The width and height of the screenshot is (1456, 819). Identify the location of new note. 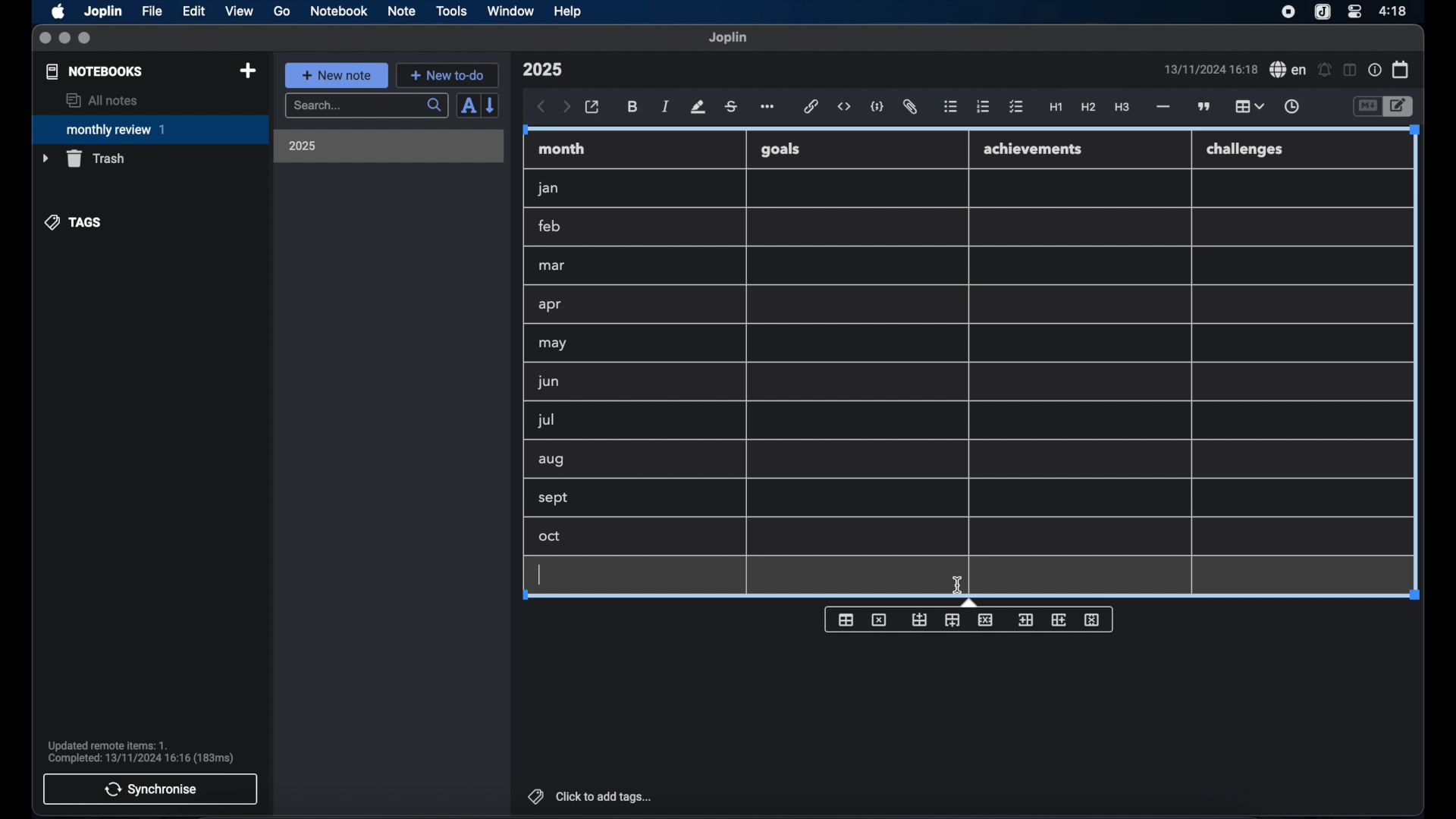
(336, 75).